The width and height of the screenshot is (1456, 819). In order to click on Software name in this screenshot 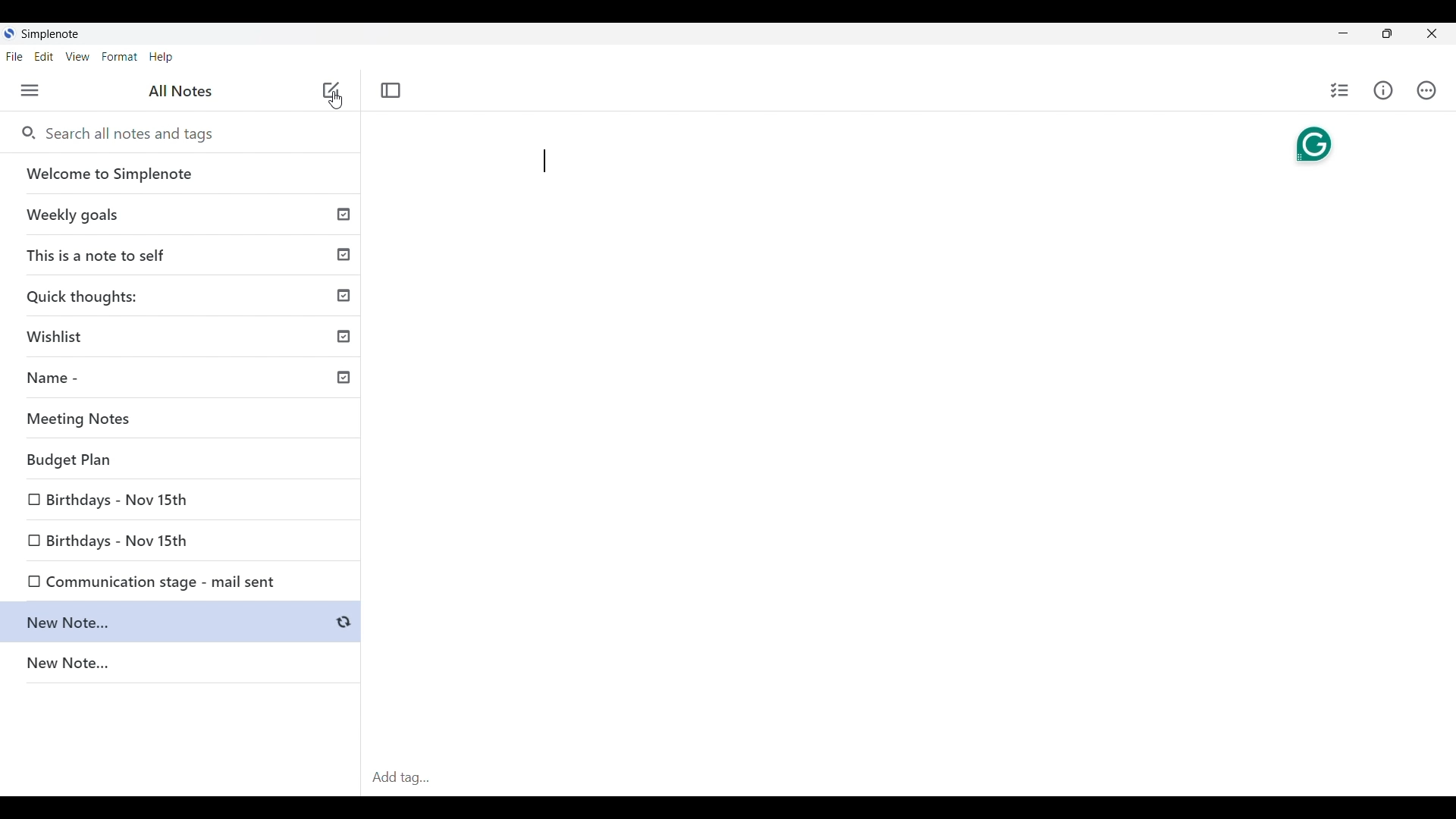, I will do `click(50, 34)`.